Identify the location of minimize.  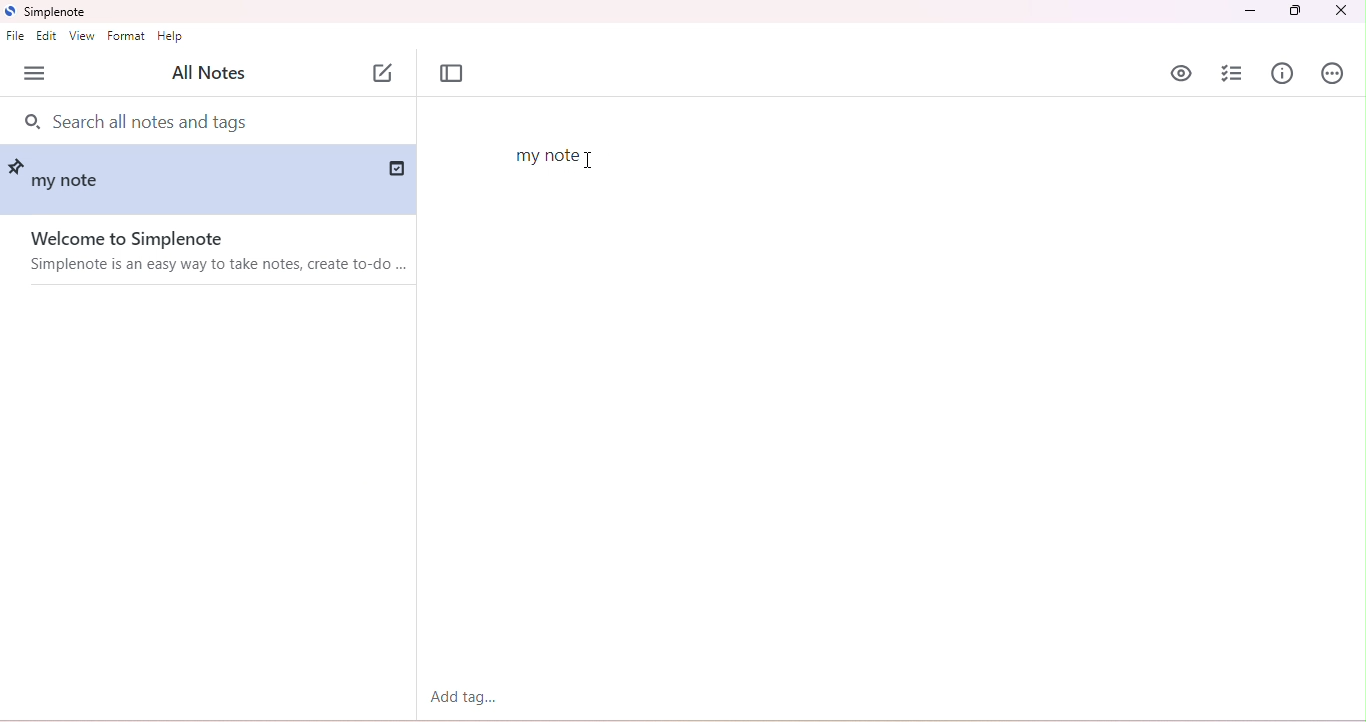
(1248, 12).